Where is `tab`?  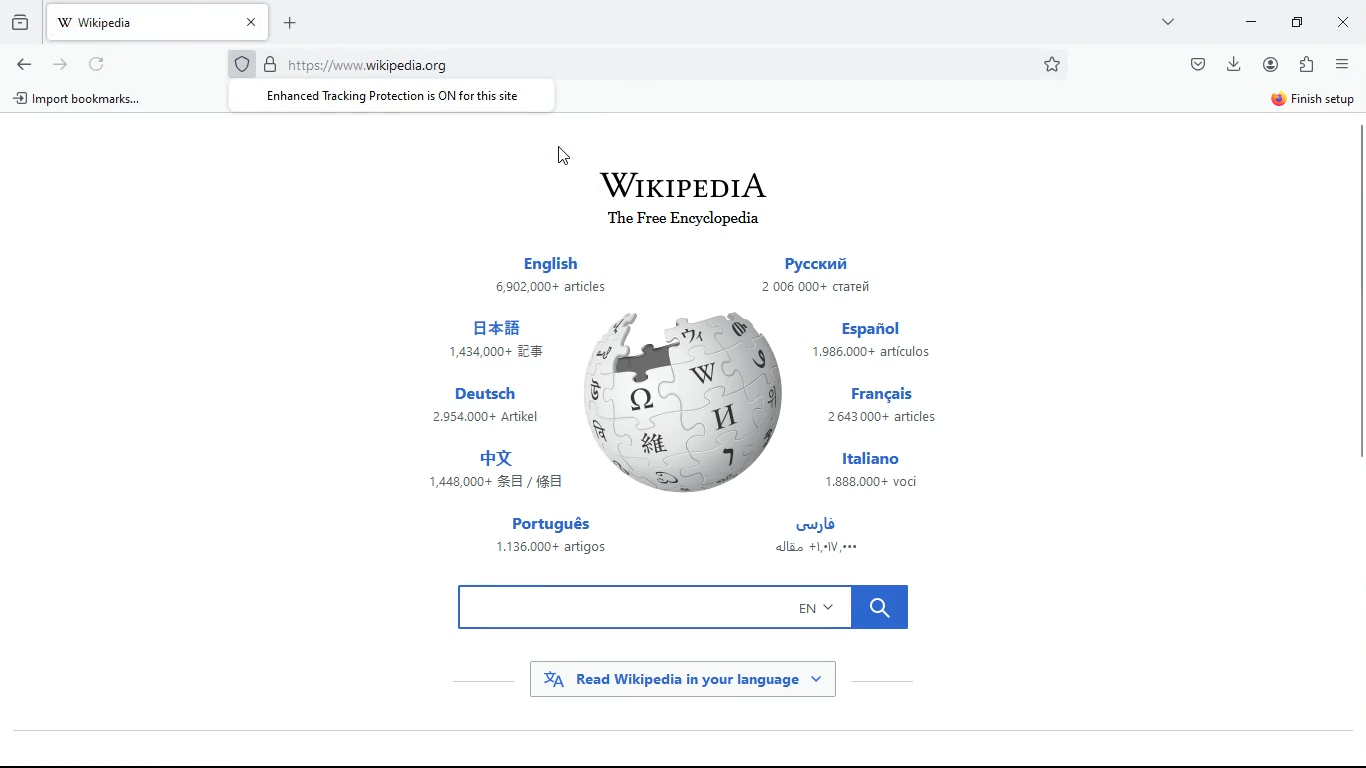
tab is located at coordinates (158, 22).